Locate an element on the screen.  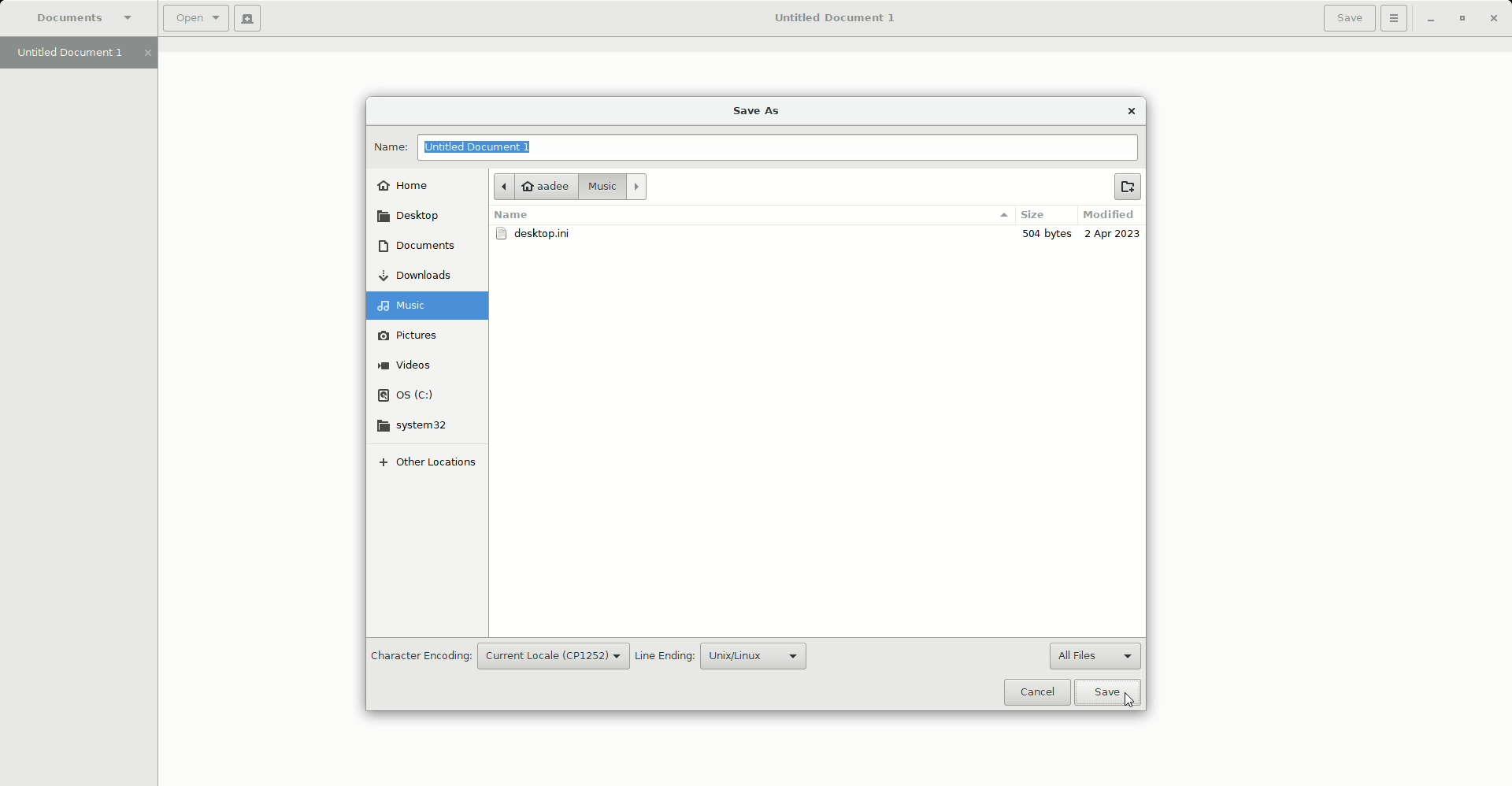
Music is located at coordinates (615, 186).